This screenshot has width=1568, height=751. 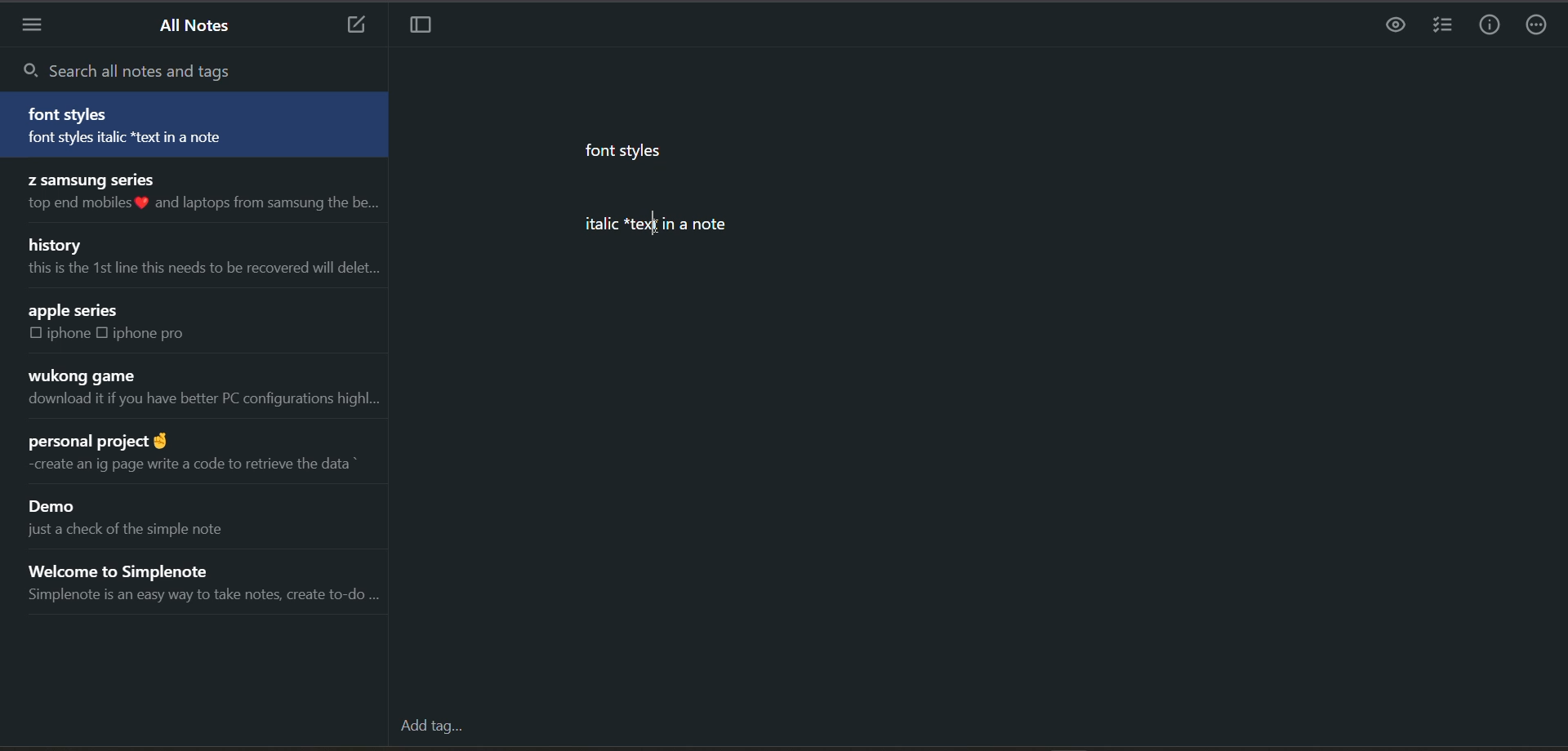 I want to click on add tag, so click(x=434, y=725).